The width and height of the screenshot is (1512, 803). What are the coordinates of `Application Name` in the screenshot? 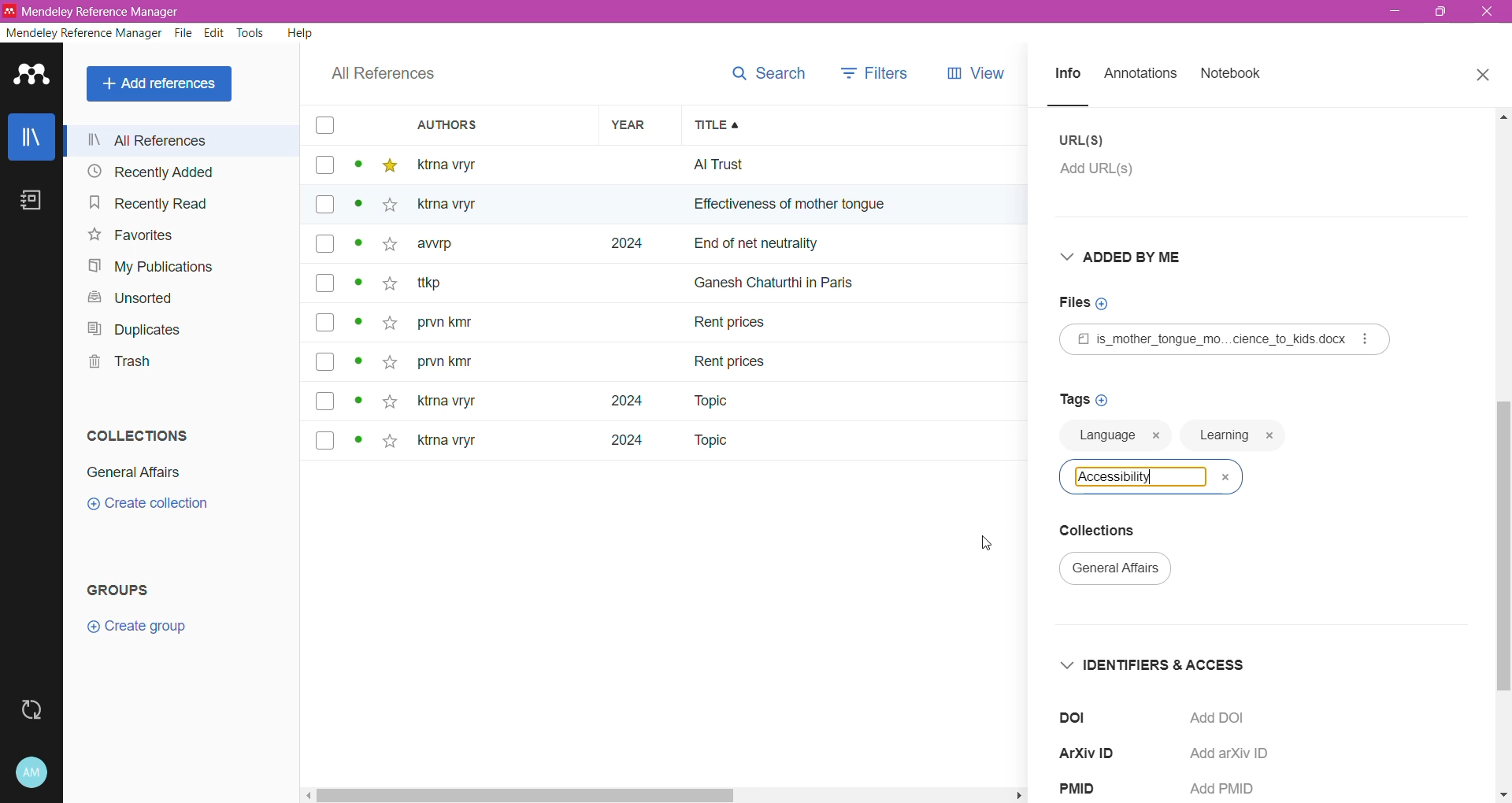 It's located at (107, 11).